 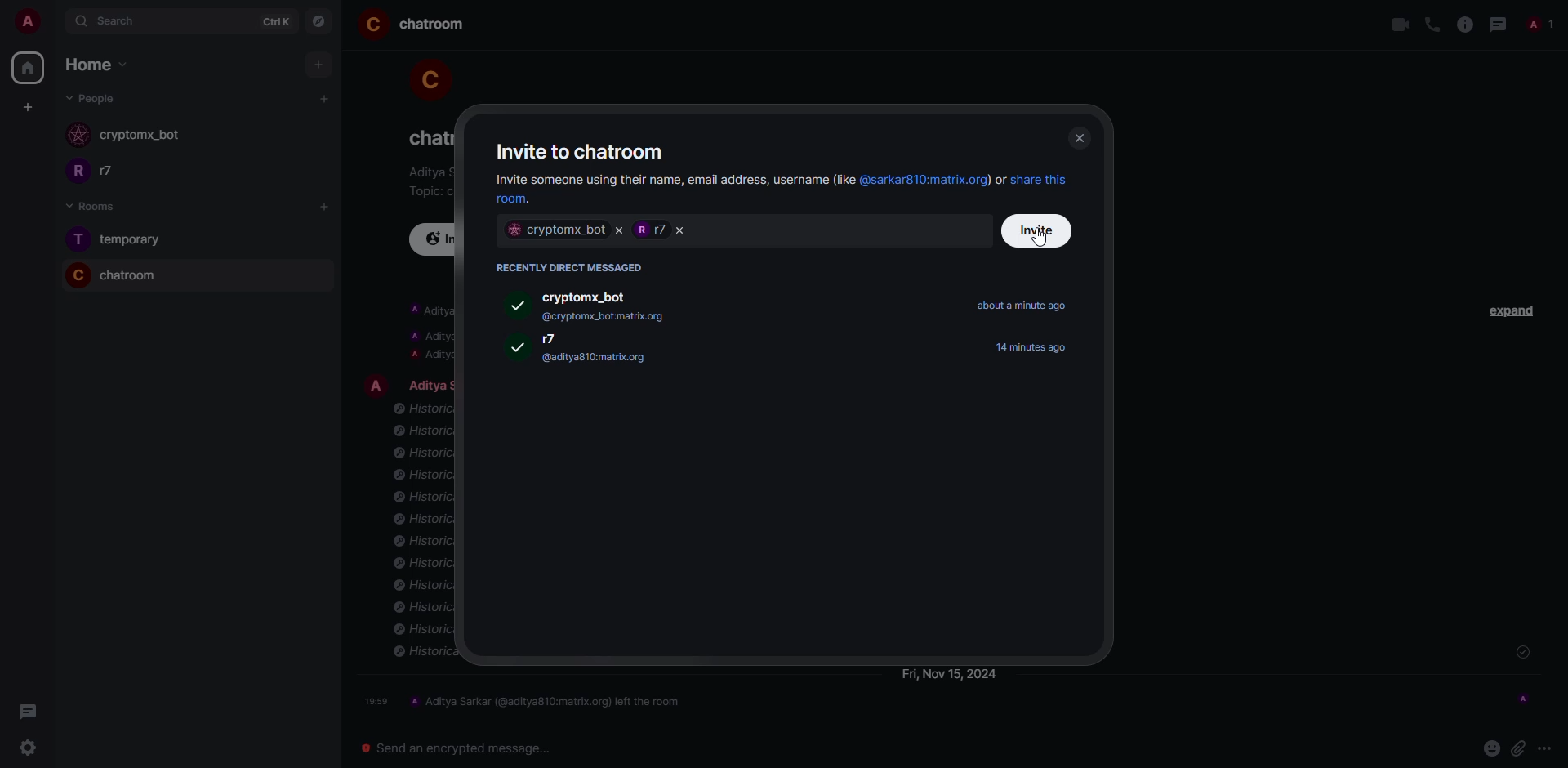 What do you see at coordinates (118, 172) in the screenshot?
I see `people` at bounding box center [118, 172].